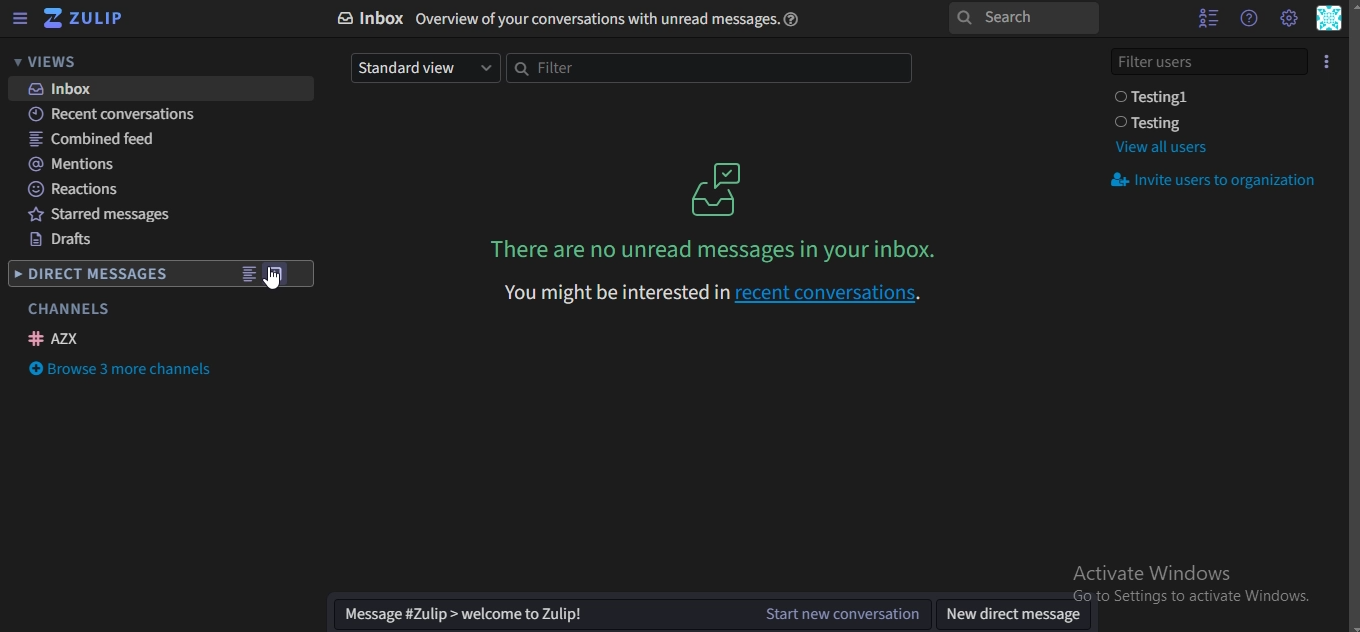  I want to click on filter users, so click(1211, 59).